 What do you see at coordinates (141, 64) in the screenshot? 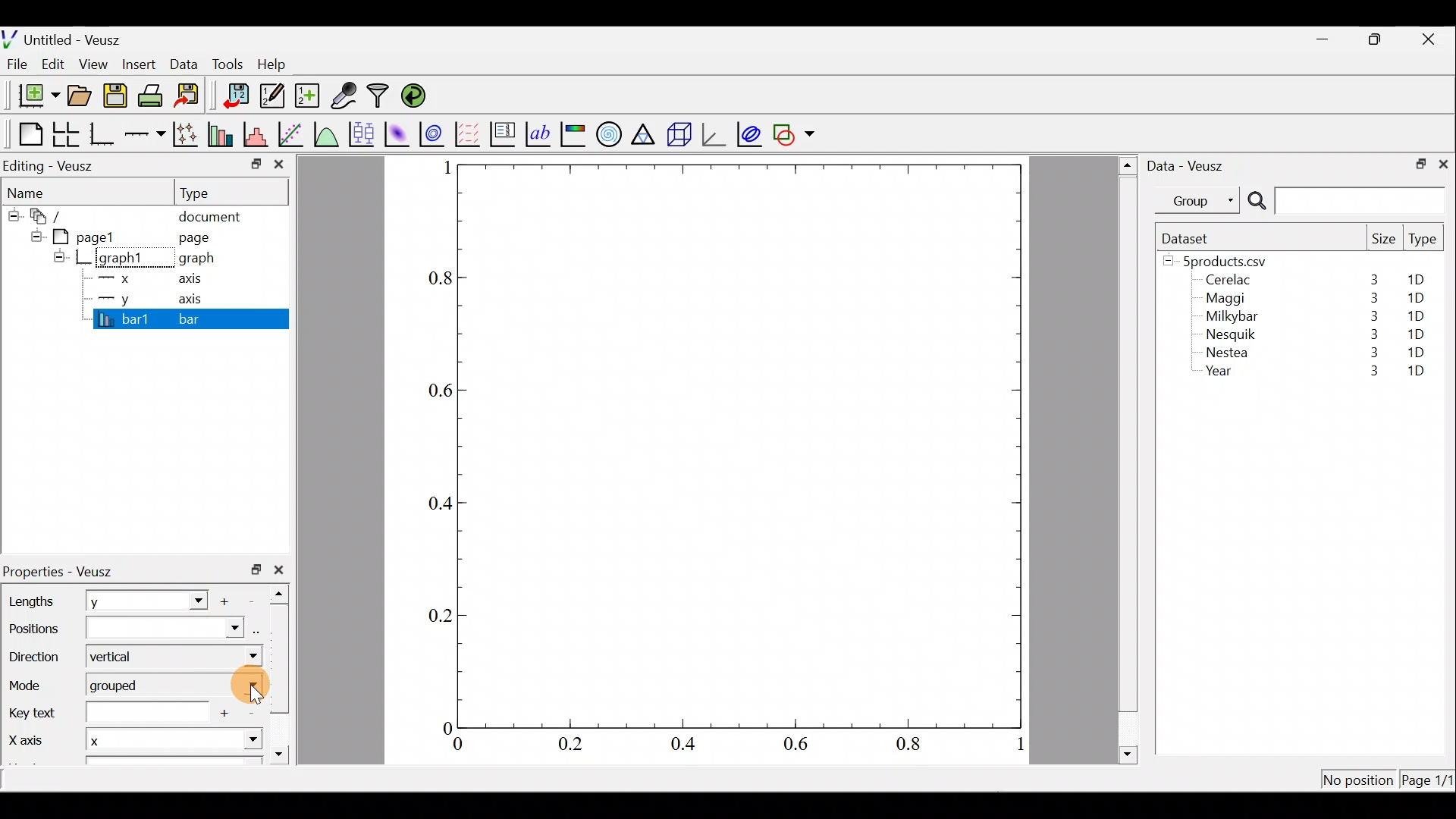
I see `Insert` at bounding box center [141, 64].